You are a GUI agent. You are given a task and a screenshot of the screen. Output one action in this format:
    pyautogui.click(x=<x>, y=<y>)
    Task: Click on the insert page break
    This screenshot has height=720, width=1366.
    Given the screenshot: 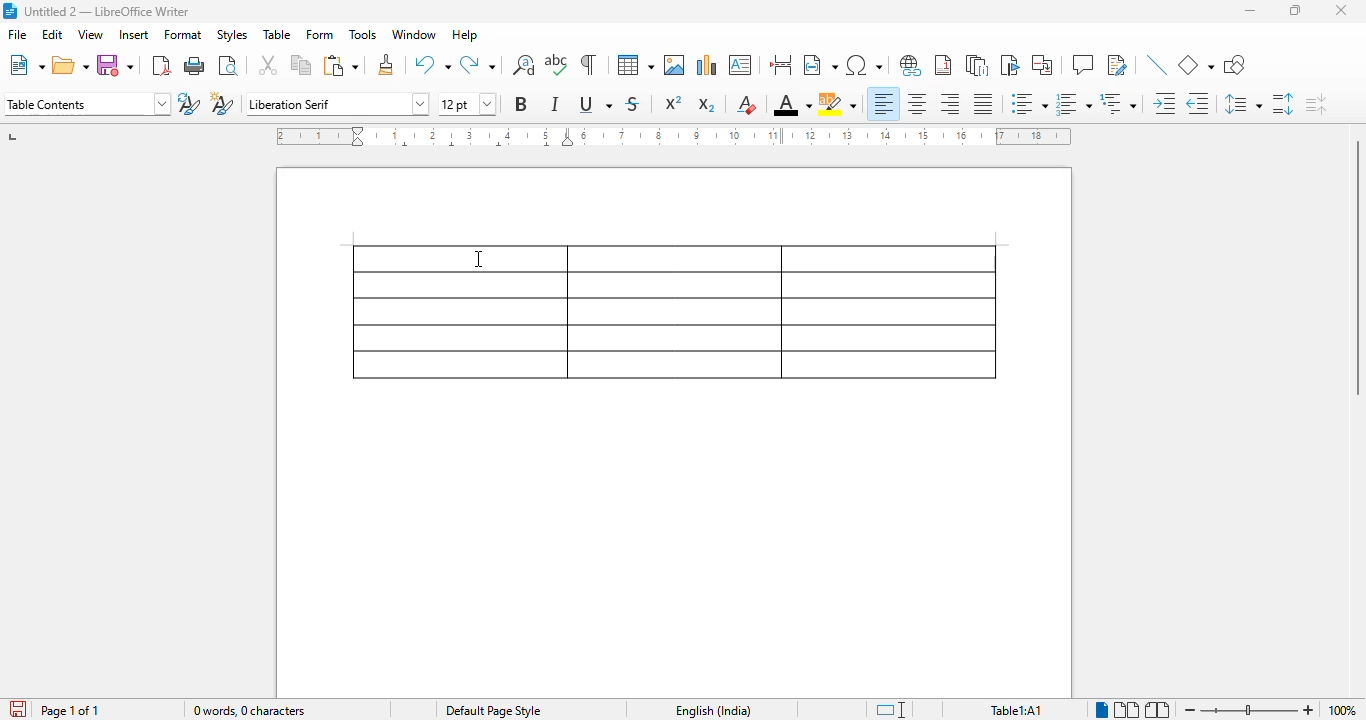 What is the action you would take?
    pyautogui.click(x=781, y=65)
    